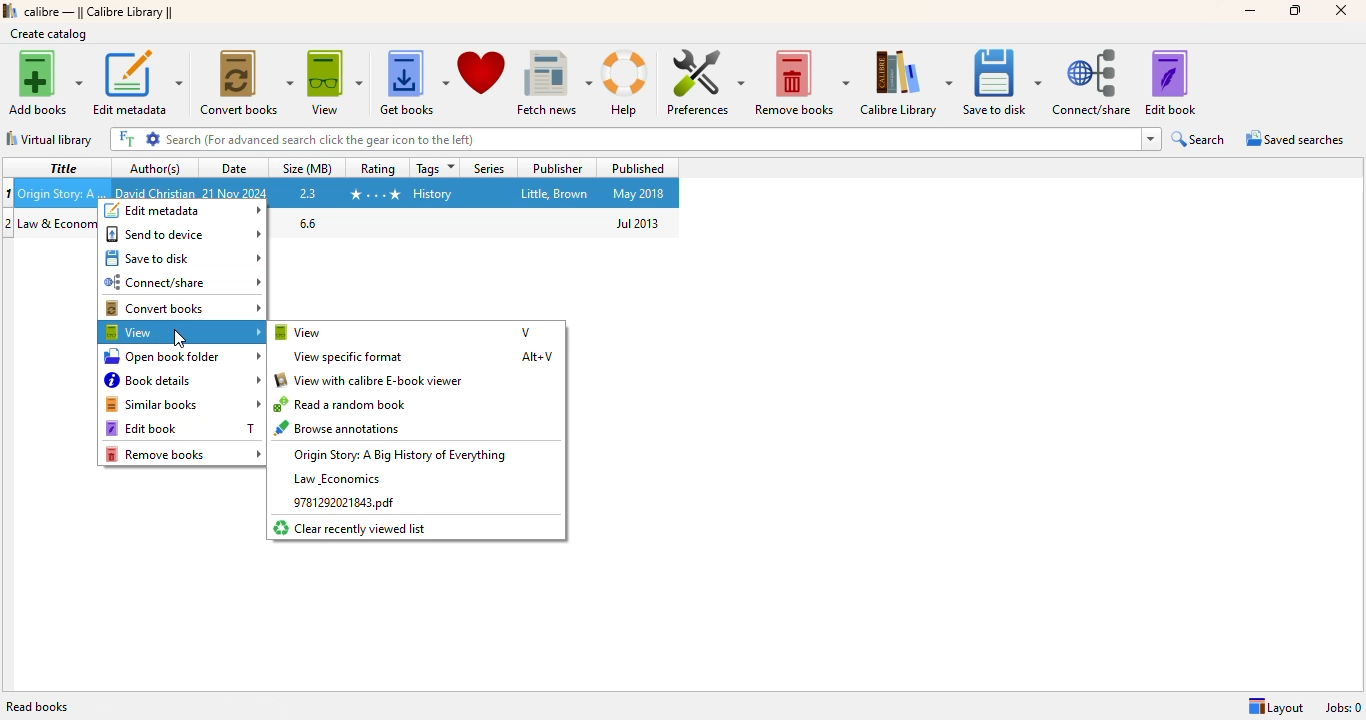 This screenshot has width=1366, height=720. I want to click on help, so click(628, 84).